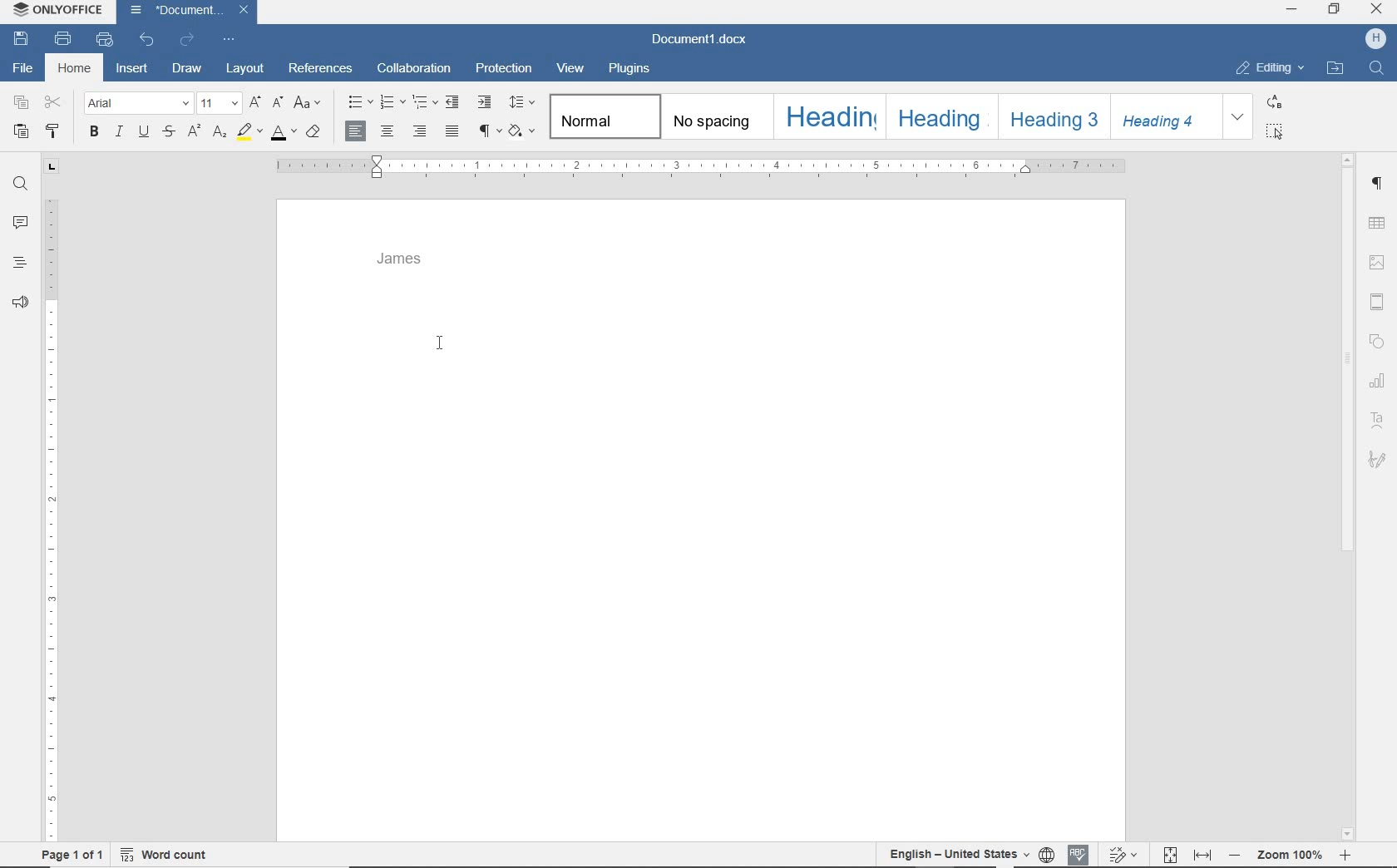 This screenshot has width=1397, height=868. I want to click on set documentlanguage, so click(1046, 854).